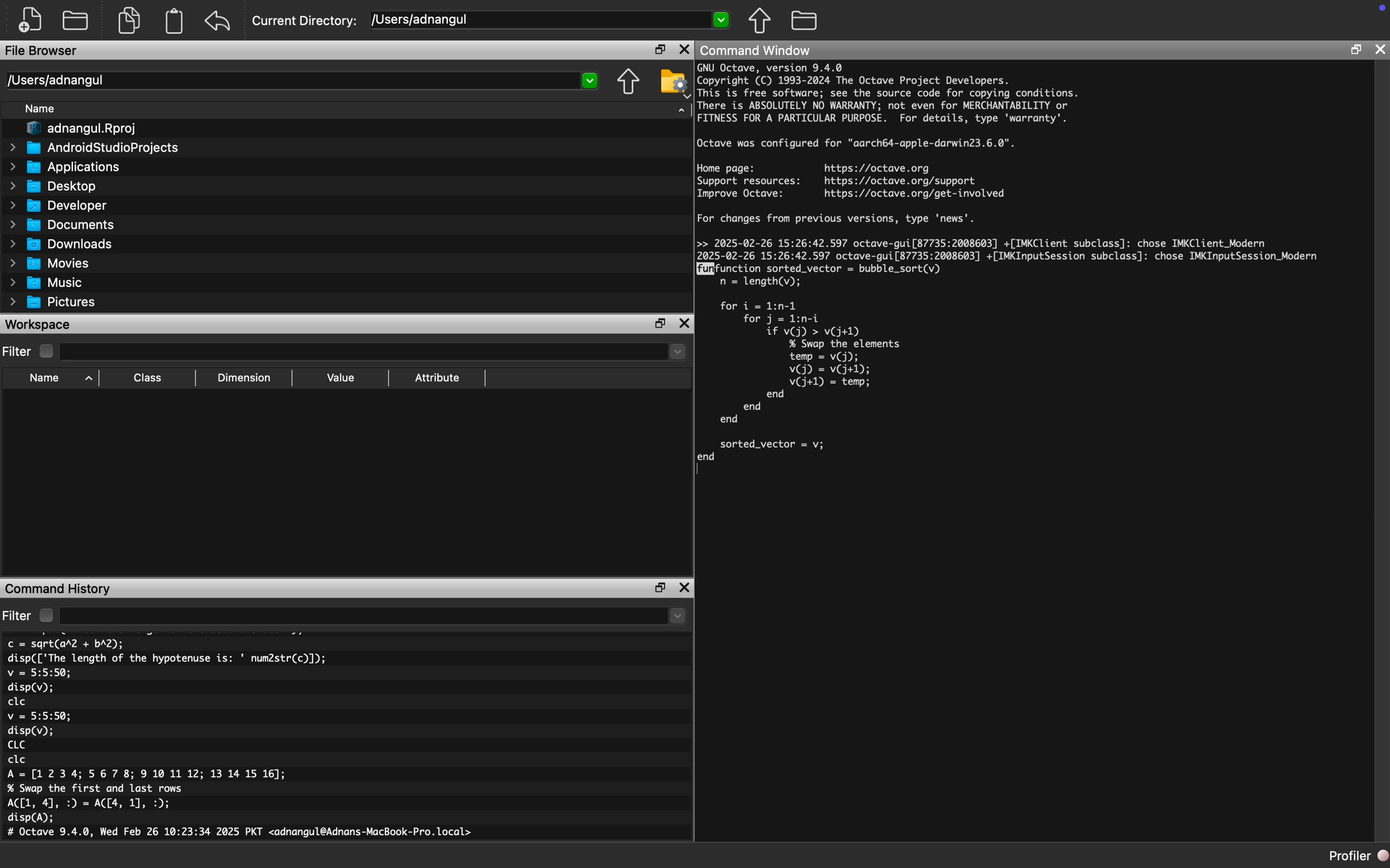 This screenshot has height=868, width=1390. What do you see at coordinates (50, 263) in the screenshot?
I see `Movies` at bounding box center [50, 263].